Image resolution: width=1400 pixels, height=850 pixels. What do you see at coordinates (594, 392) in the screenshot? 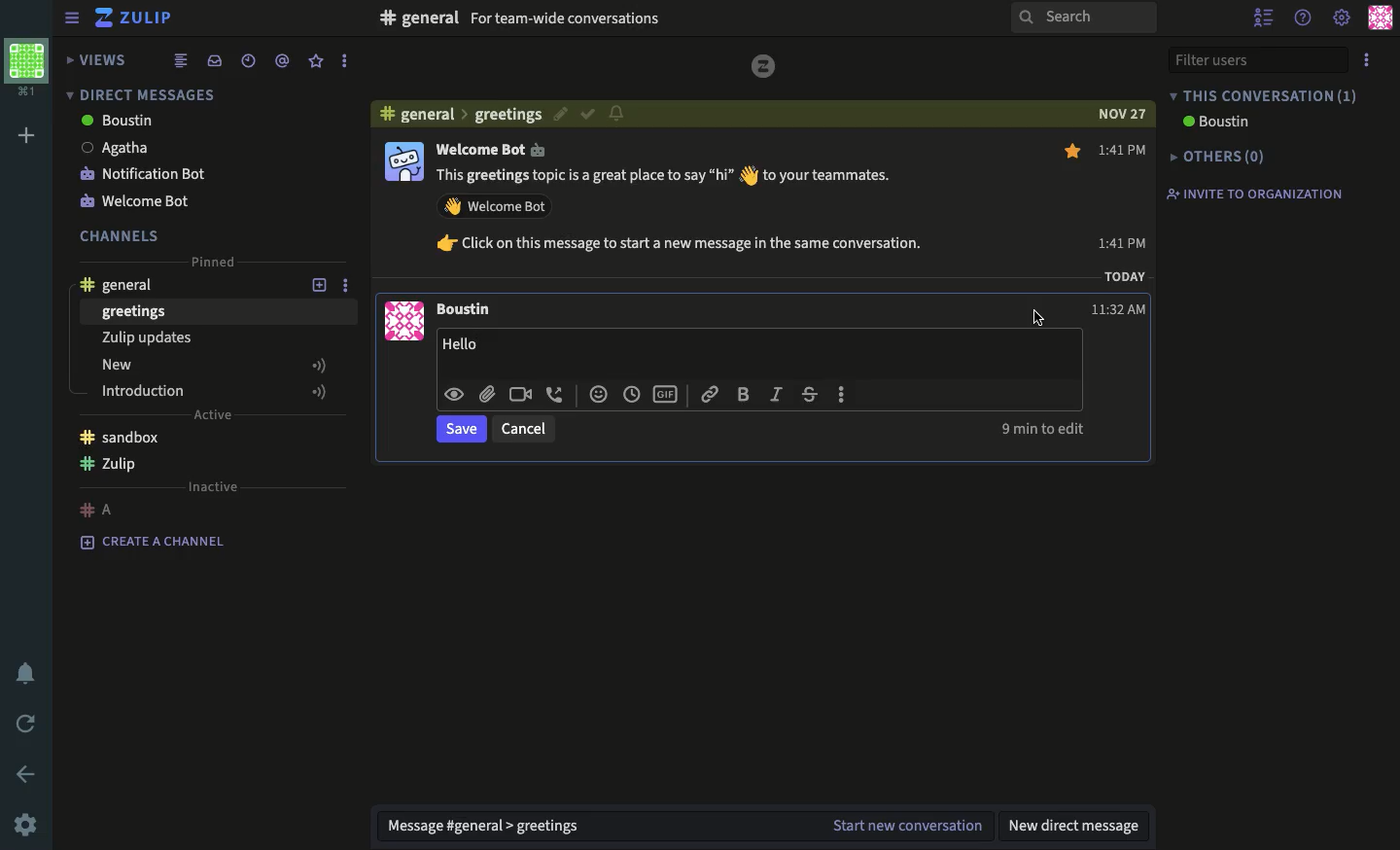
I see `emoji` at bounding box center [594, 392].